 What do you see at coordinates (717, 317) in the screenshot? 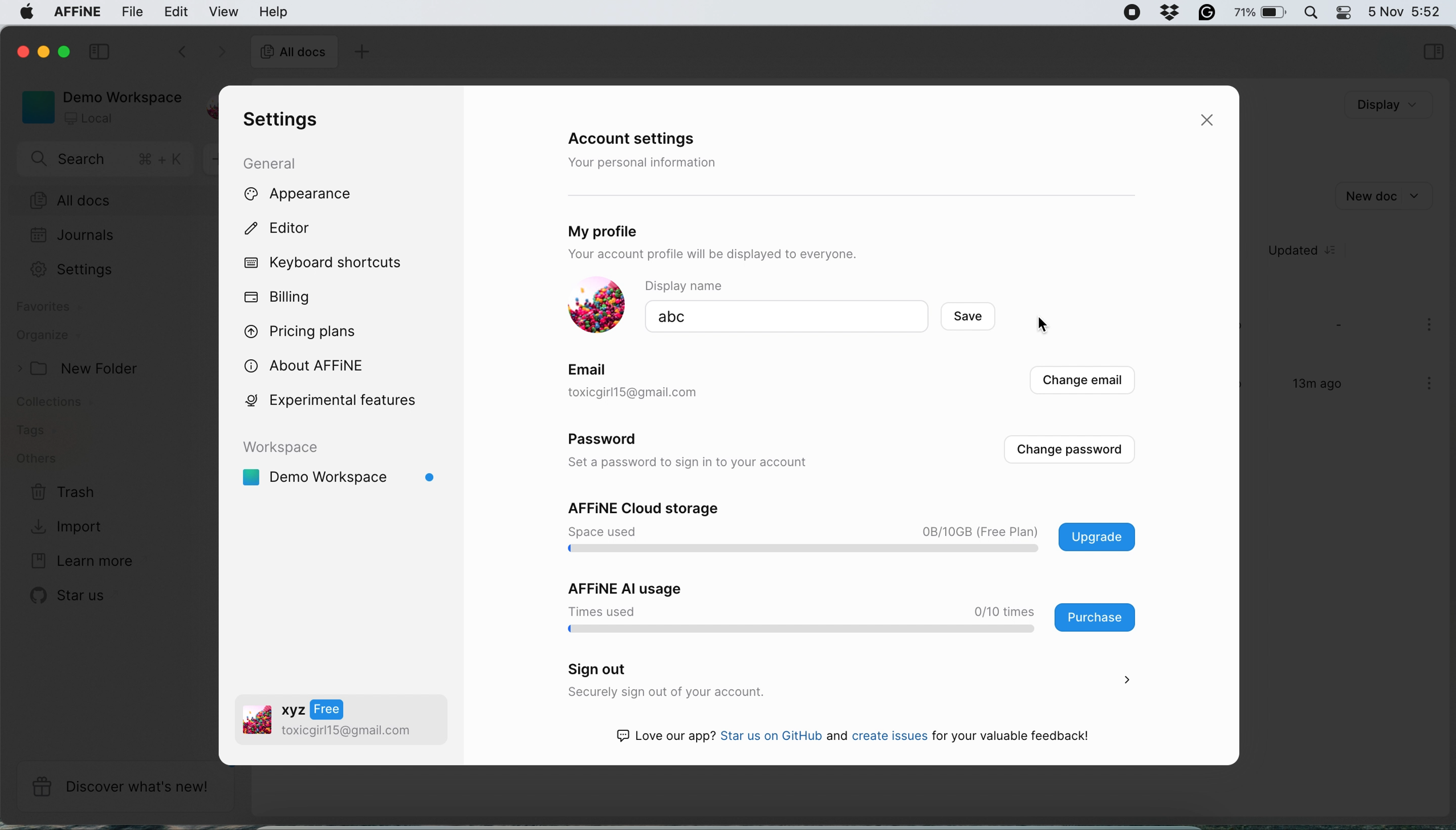
I see `abc` at bounding box center [717, 317].